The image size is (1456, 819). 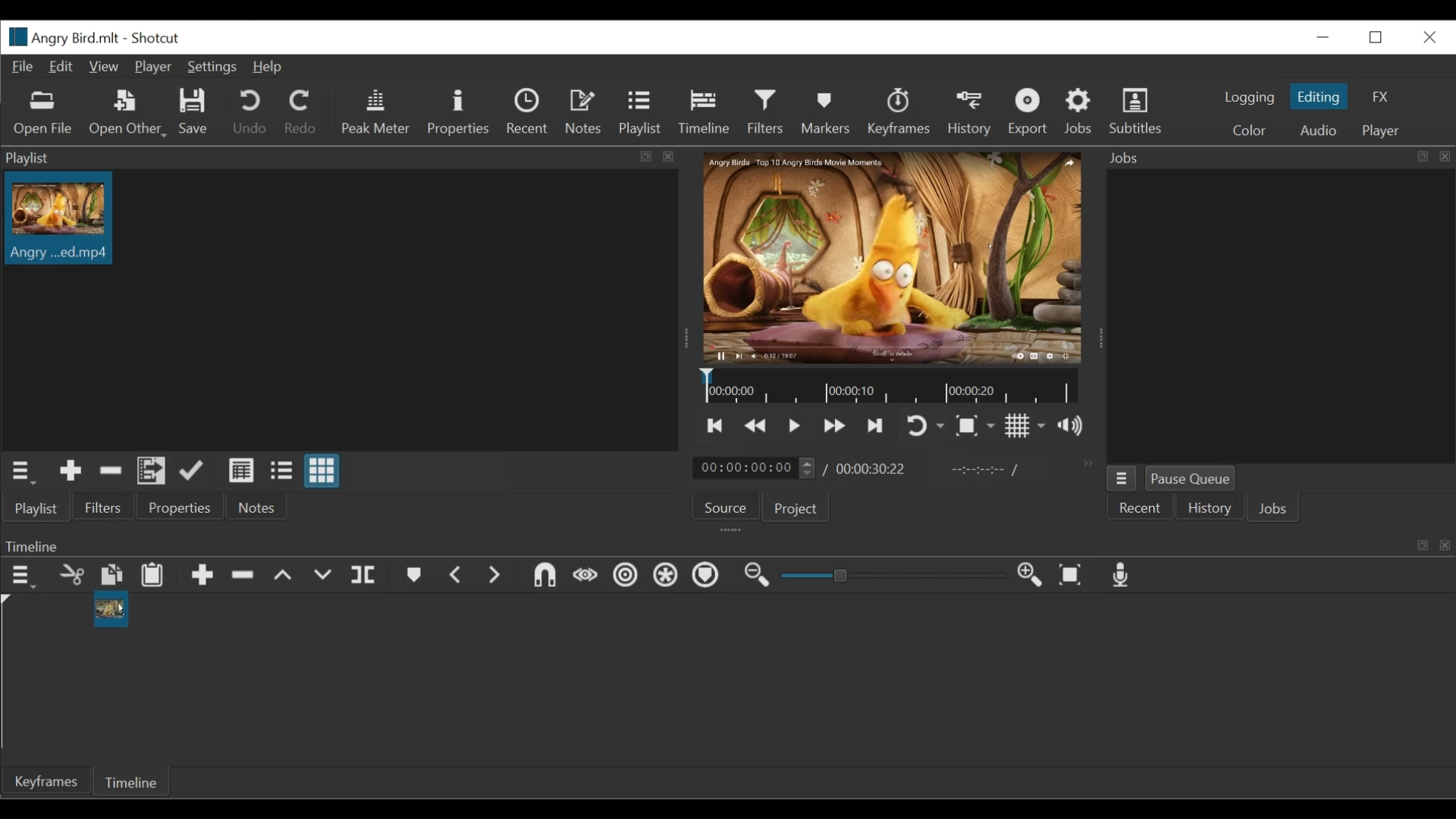 What do you see at coordinates (721, 508) in the screenshot?
I see `Source` at bounding box center [721, 508].